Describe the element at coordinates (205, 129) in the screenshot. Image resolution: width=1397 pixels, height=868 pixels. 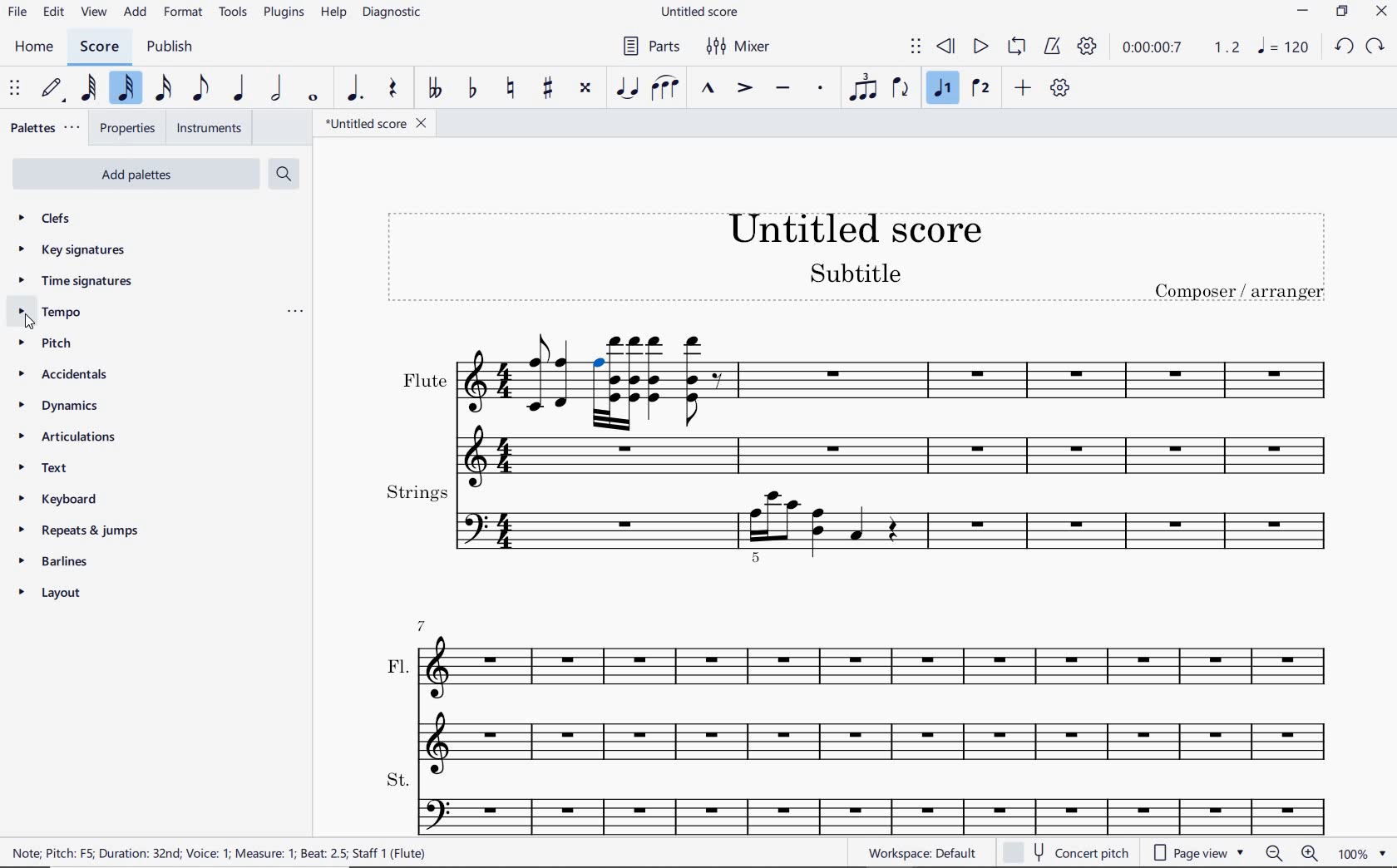
I see `instruments` at that location.